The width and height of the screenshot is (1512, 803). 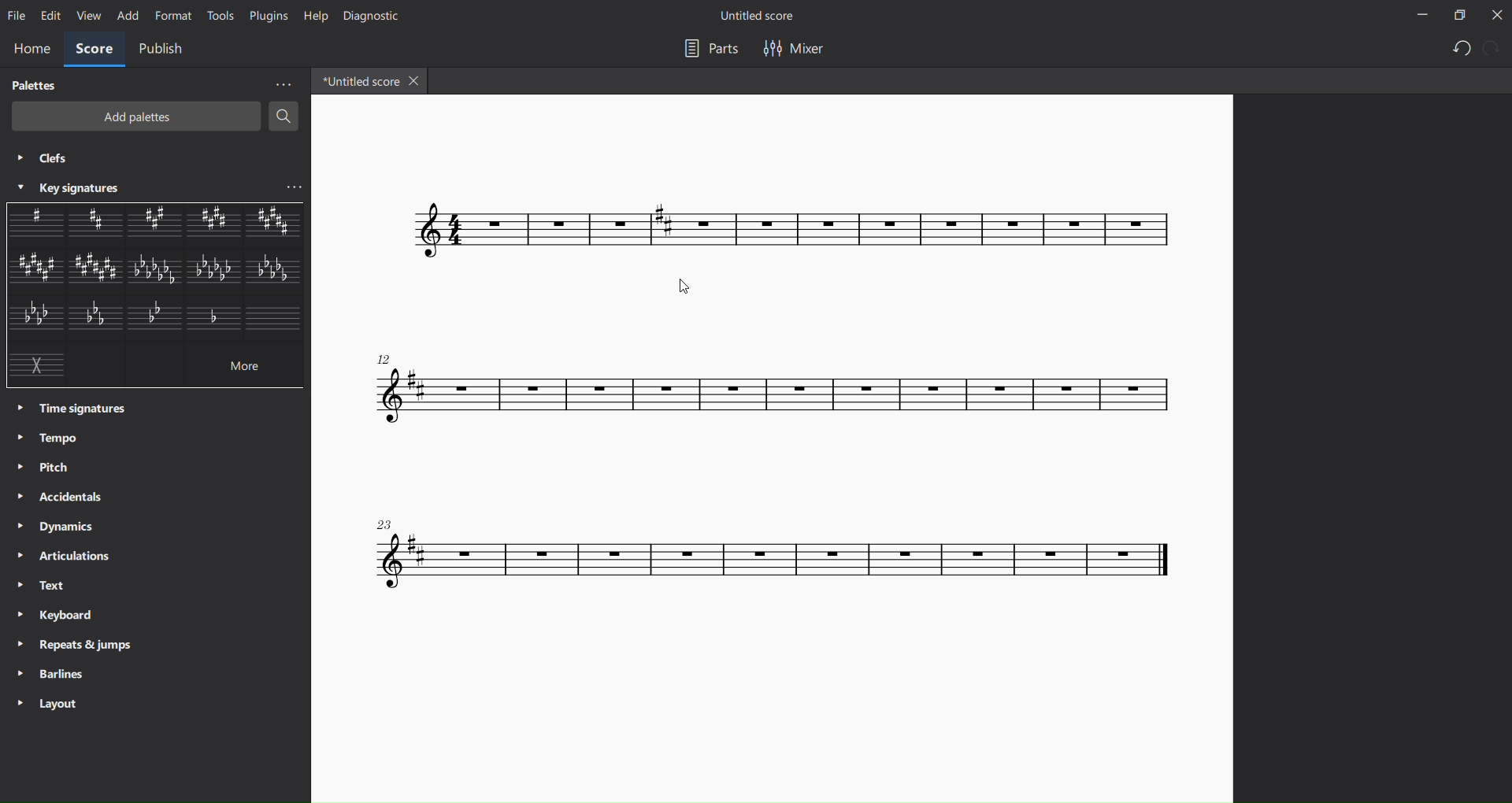 I want to click on layout, so click(x=53, y=705).